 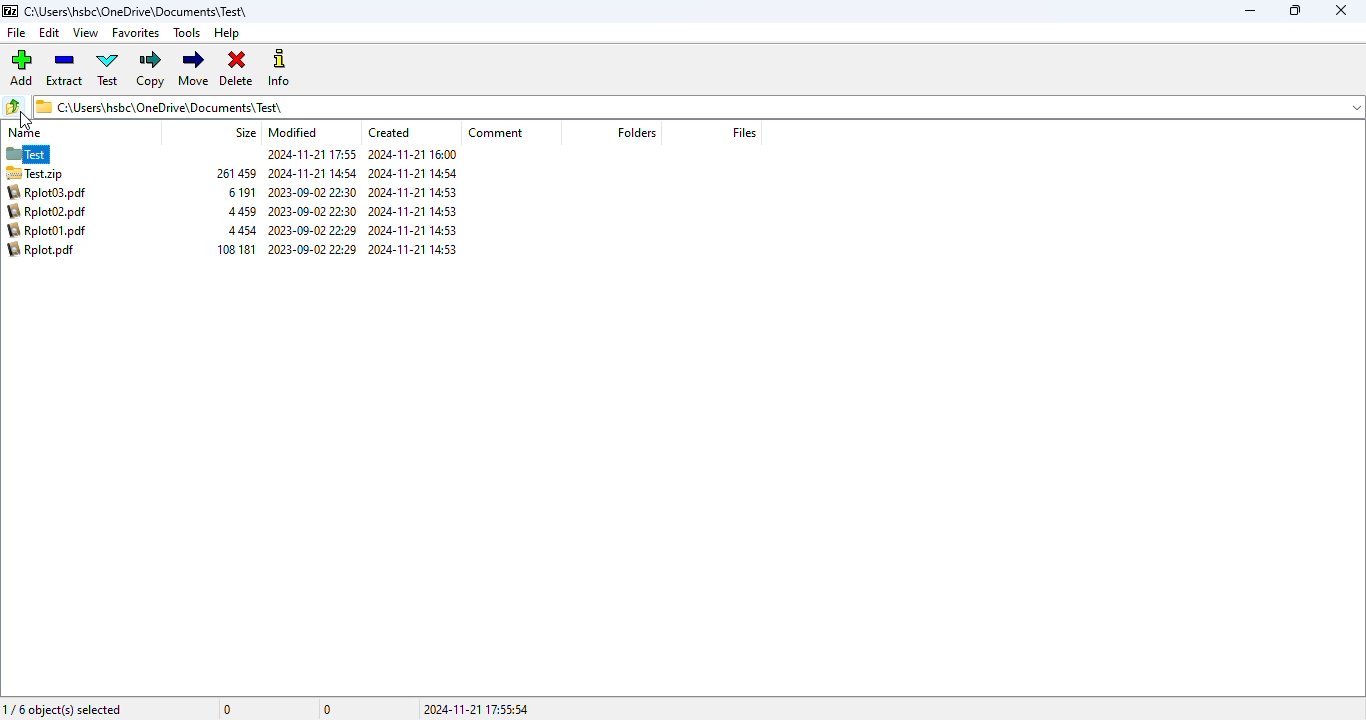 I want to click on 0, so click(x=327, y=710).